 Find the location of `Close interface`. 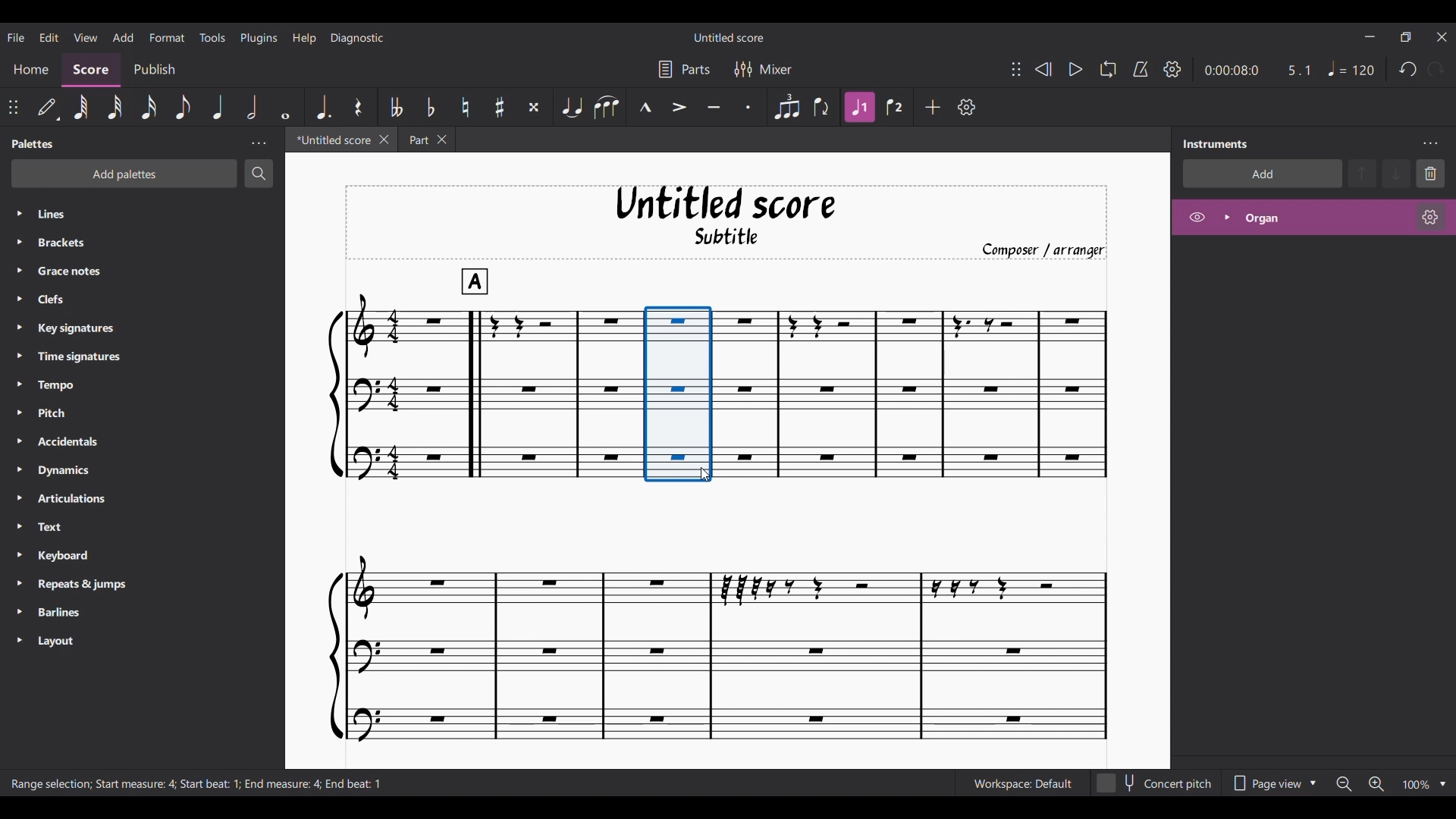

Close interface is located at coordinates (1442, 37).